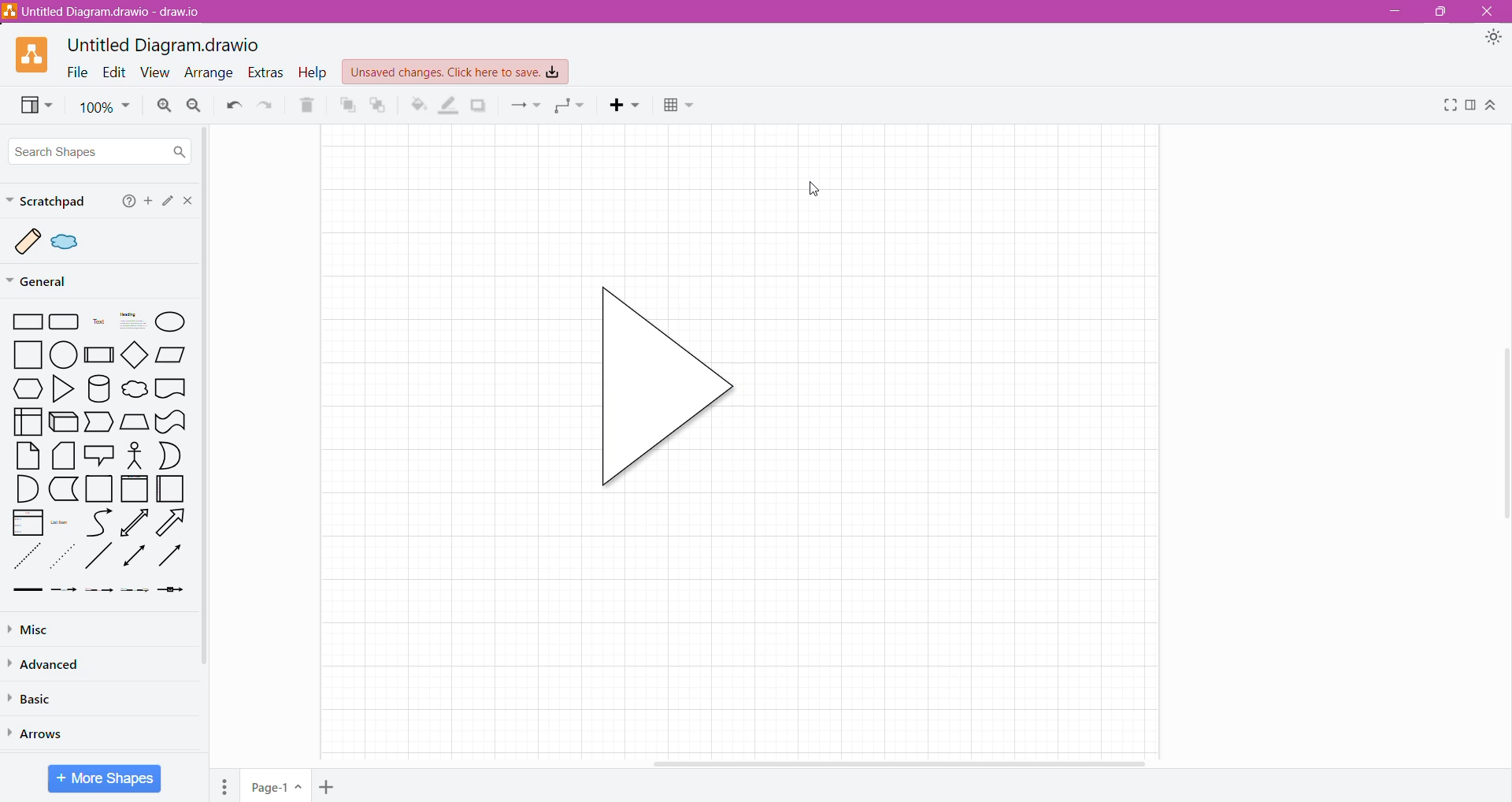  What do you see at coordinates (1451, 105) in the screenshot?
I see `Full Screen` at bounding box center [1451, 105].